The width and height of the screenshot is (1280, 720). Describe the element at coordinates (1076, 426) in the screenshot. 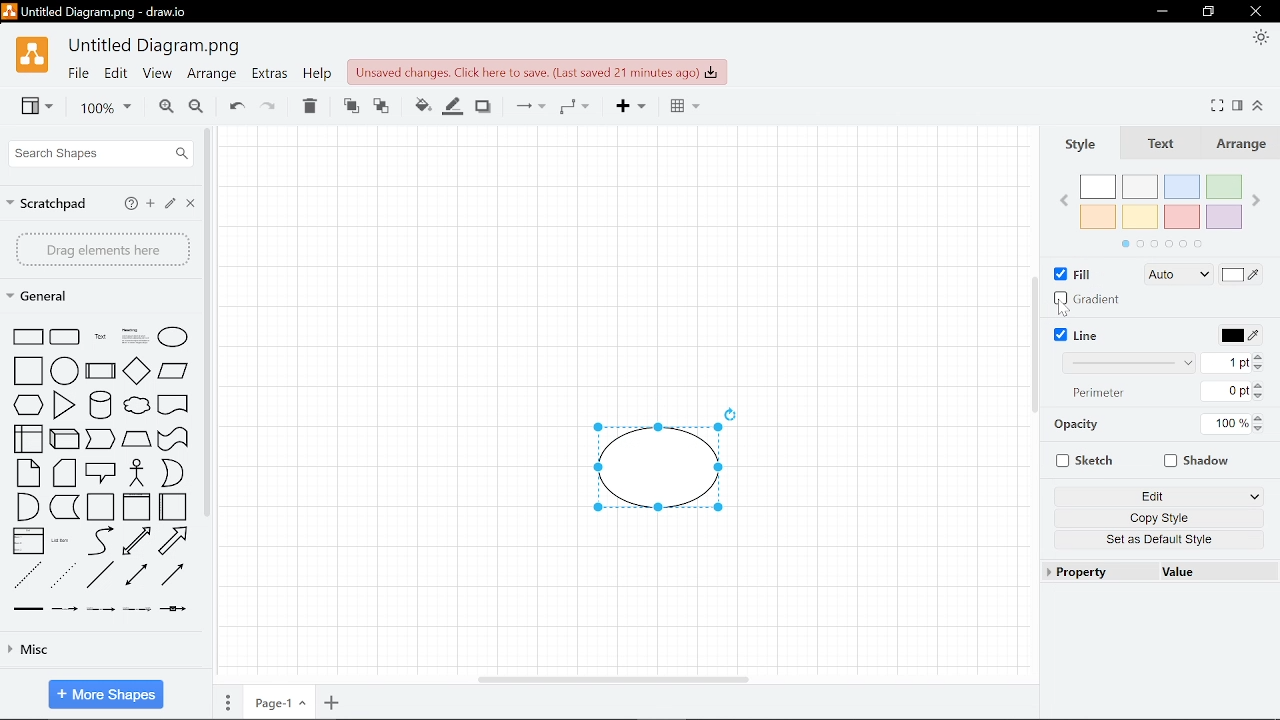

I see `Opacity` at that location.